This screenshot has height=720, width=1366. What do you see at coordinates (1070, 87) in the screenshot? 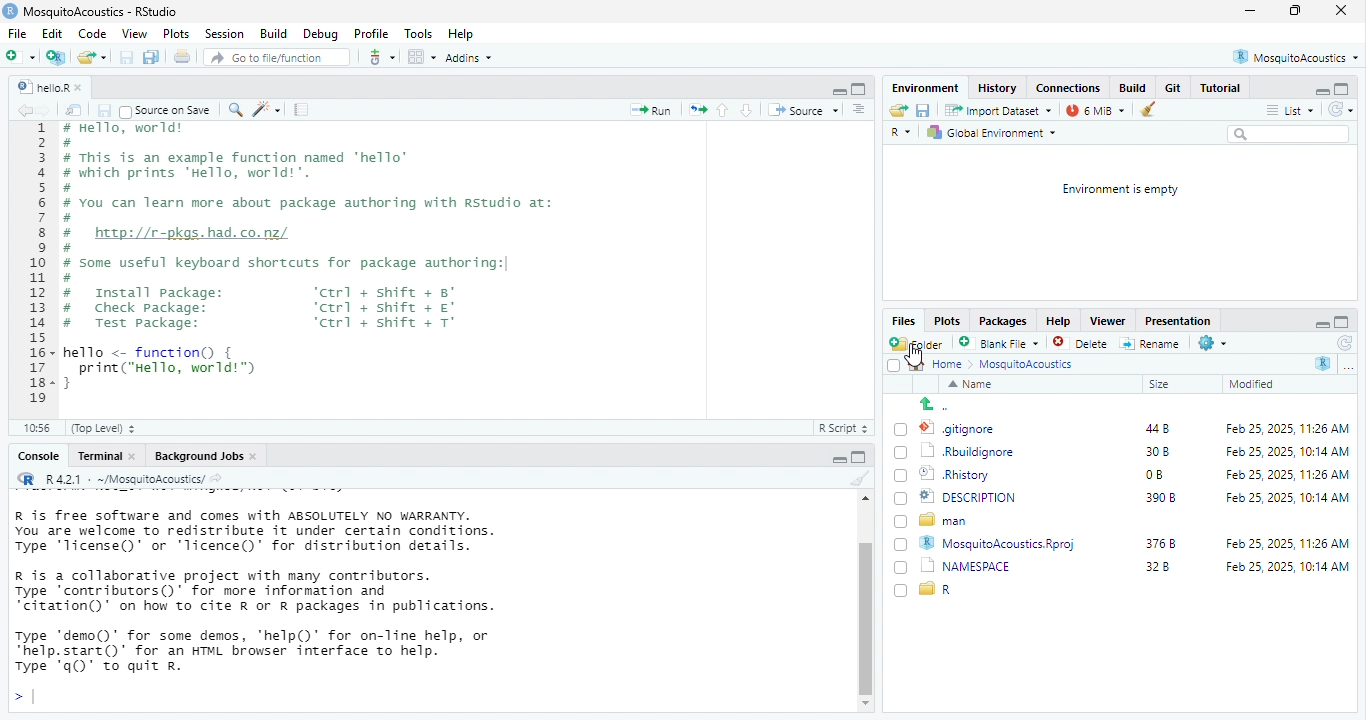
I see `Connections.` at bounding box center [1070, 87].